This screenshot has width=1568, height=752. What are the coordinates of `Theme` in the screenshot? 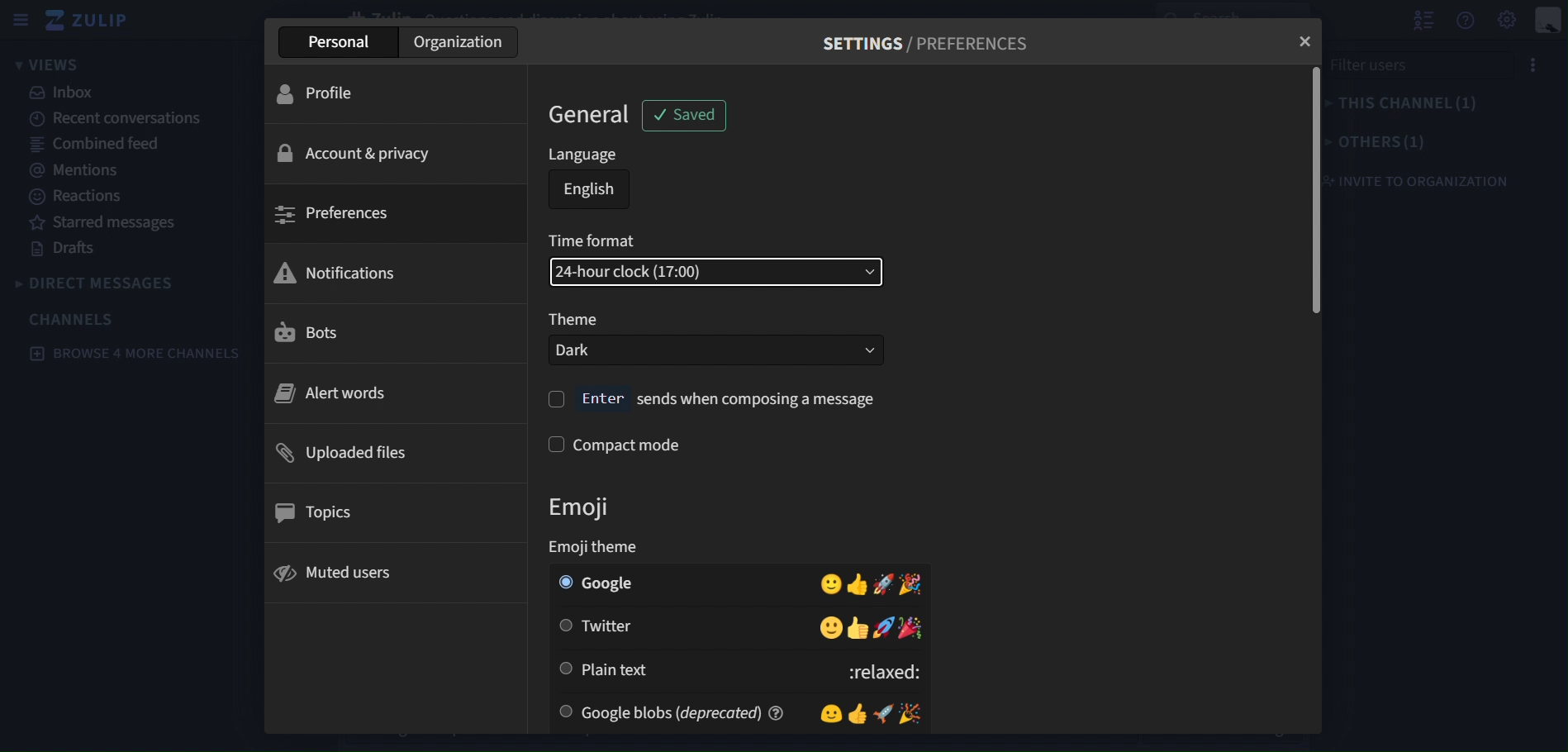 It's located at (579, 319).